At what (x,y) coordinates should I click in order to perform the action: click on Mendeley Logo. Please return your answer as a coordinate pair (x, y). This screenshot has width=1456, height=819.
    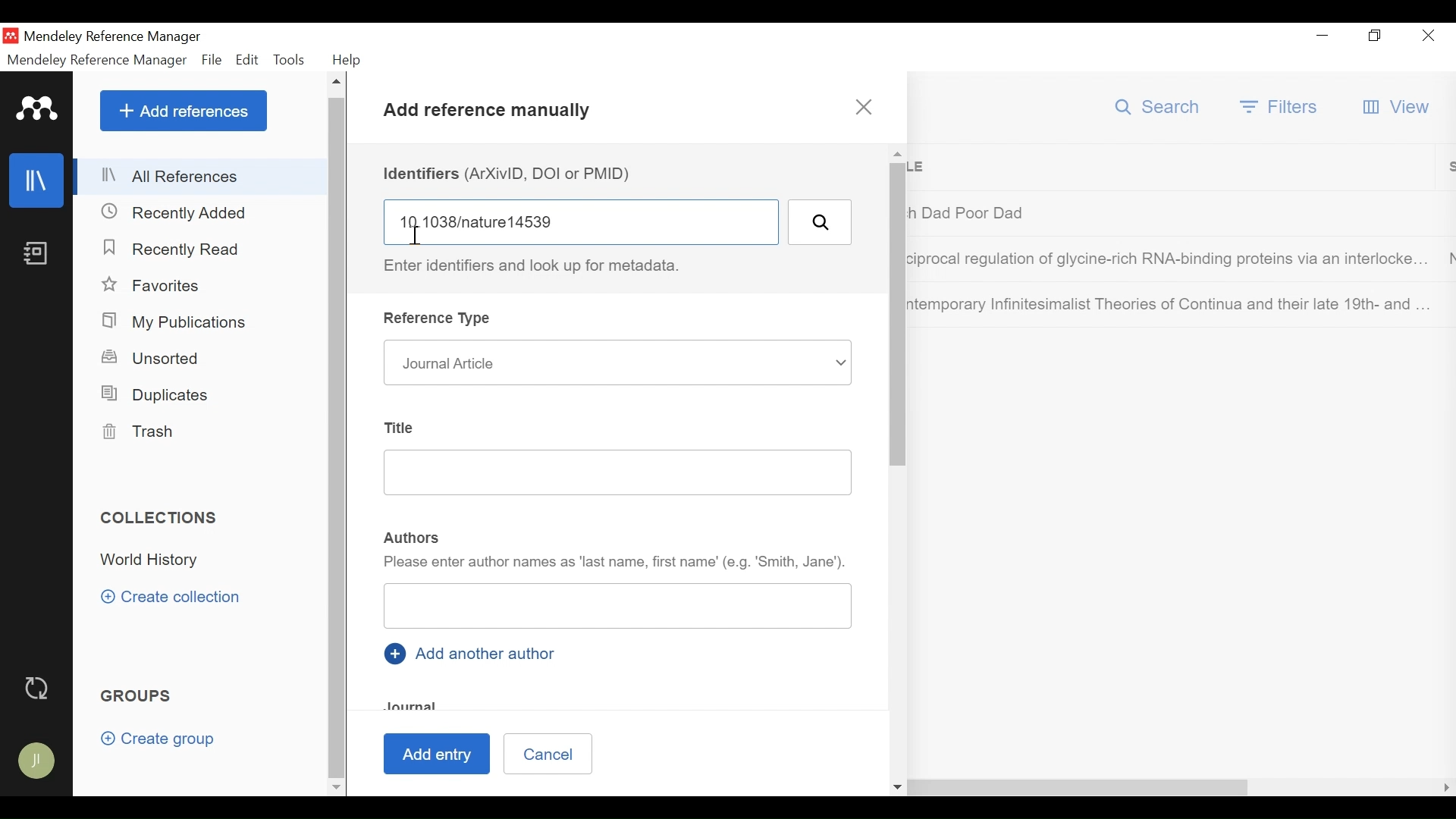
    Looking at the image, I should click on (34, 107).